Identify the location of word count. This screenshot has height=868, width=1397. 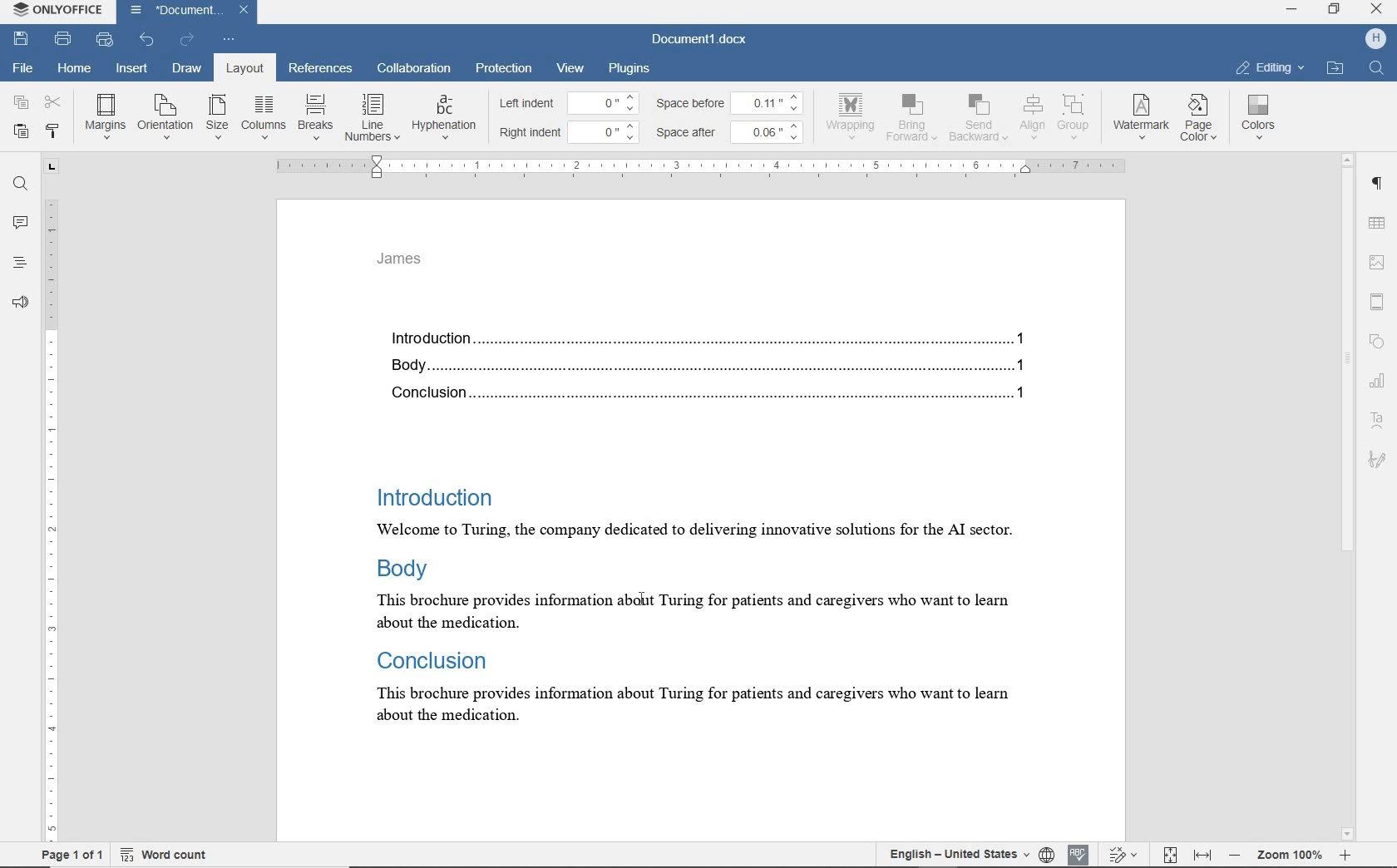
(164, 855).